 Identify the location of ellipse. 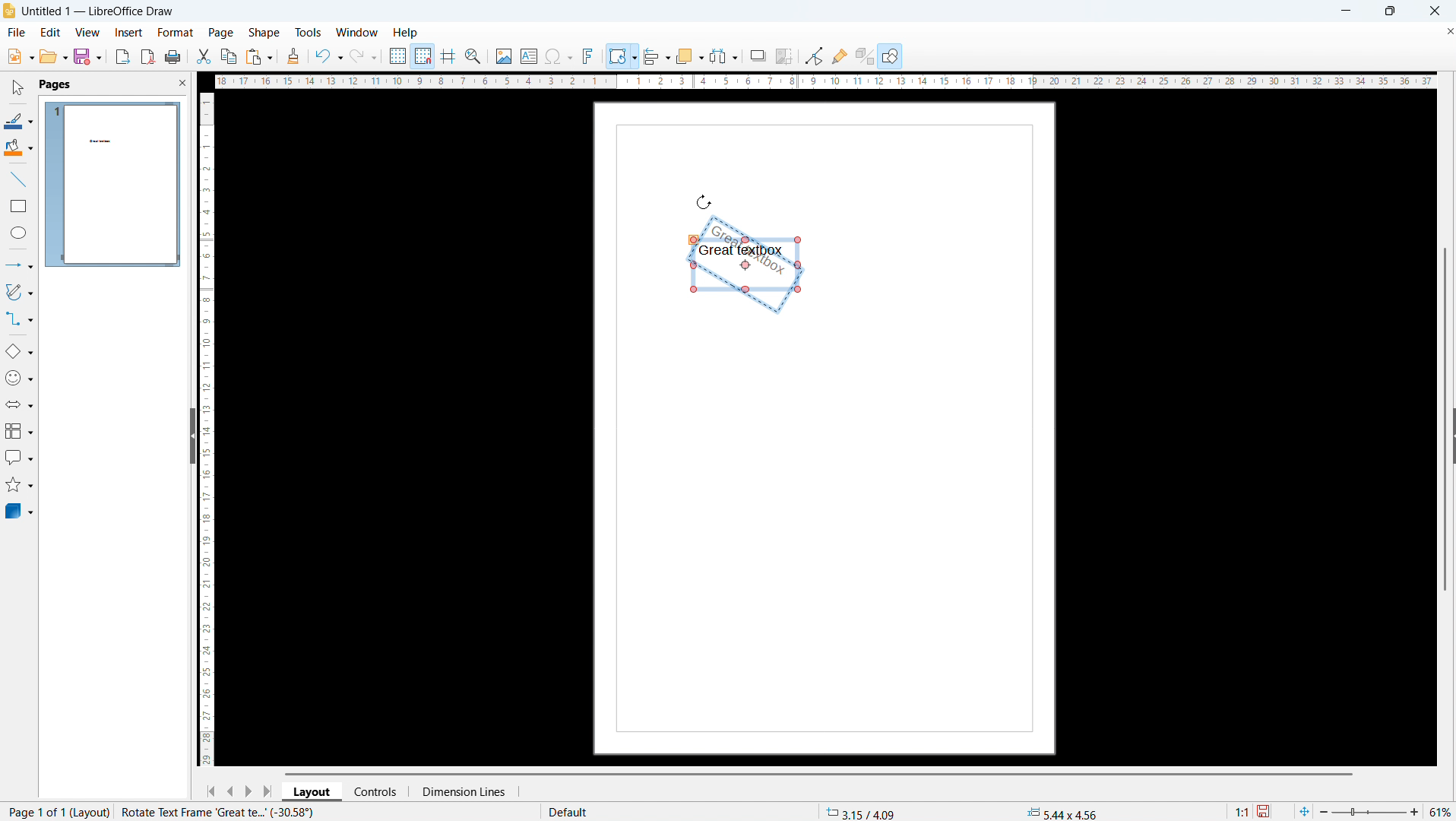
(18, 234).